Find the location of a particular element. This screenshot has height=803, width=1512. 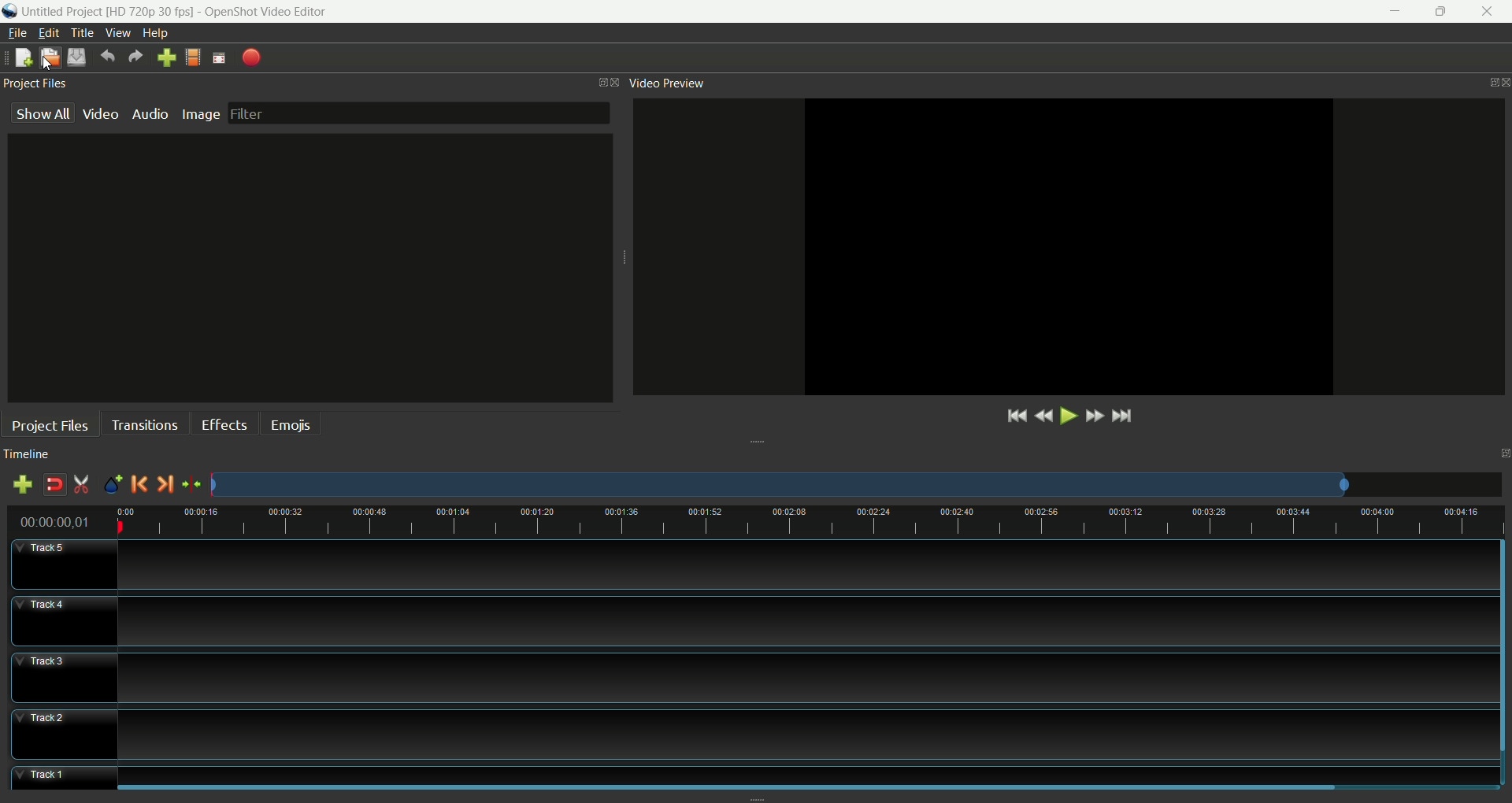

scrollbar is located at coordinates (1503, 639).